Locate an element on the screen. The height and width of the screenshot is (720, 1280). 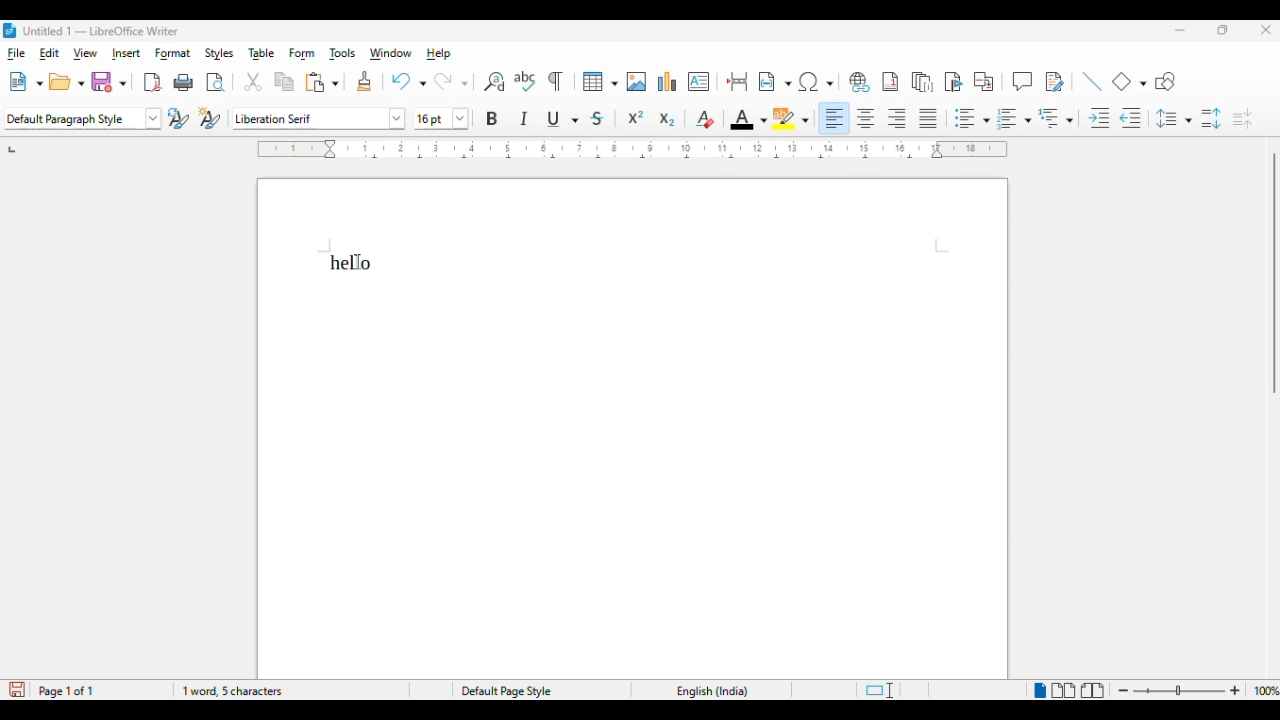
insert chart is located at coordinates (668, 81).